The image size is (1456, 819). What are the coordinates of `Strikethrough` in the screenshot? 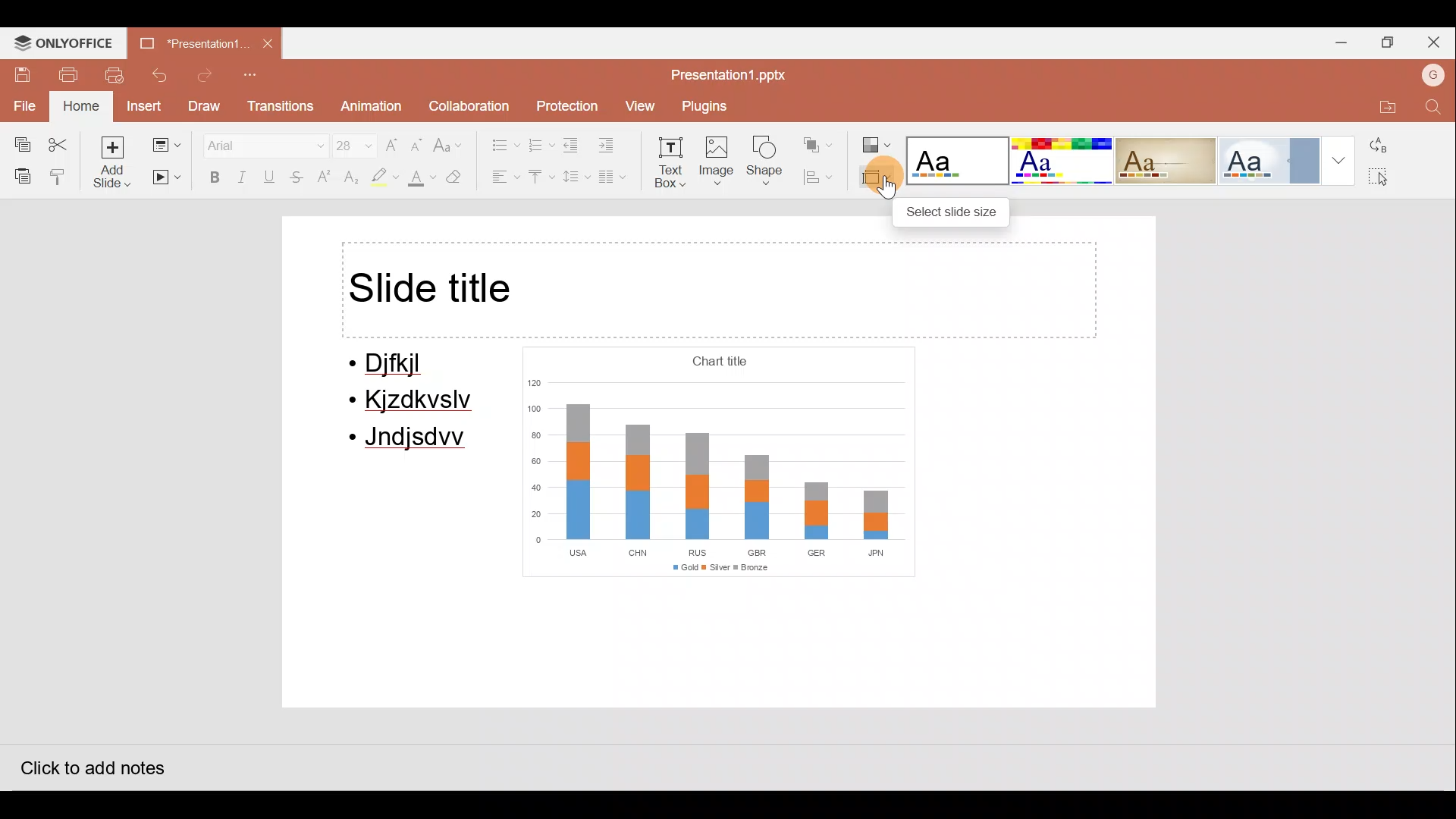 It's located at (298, 179).